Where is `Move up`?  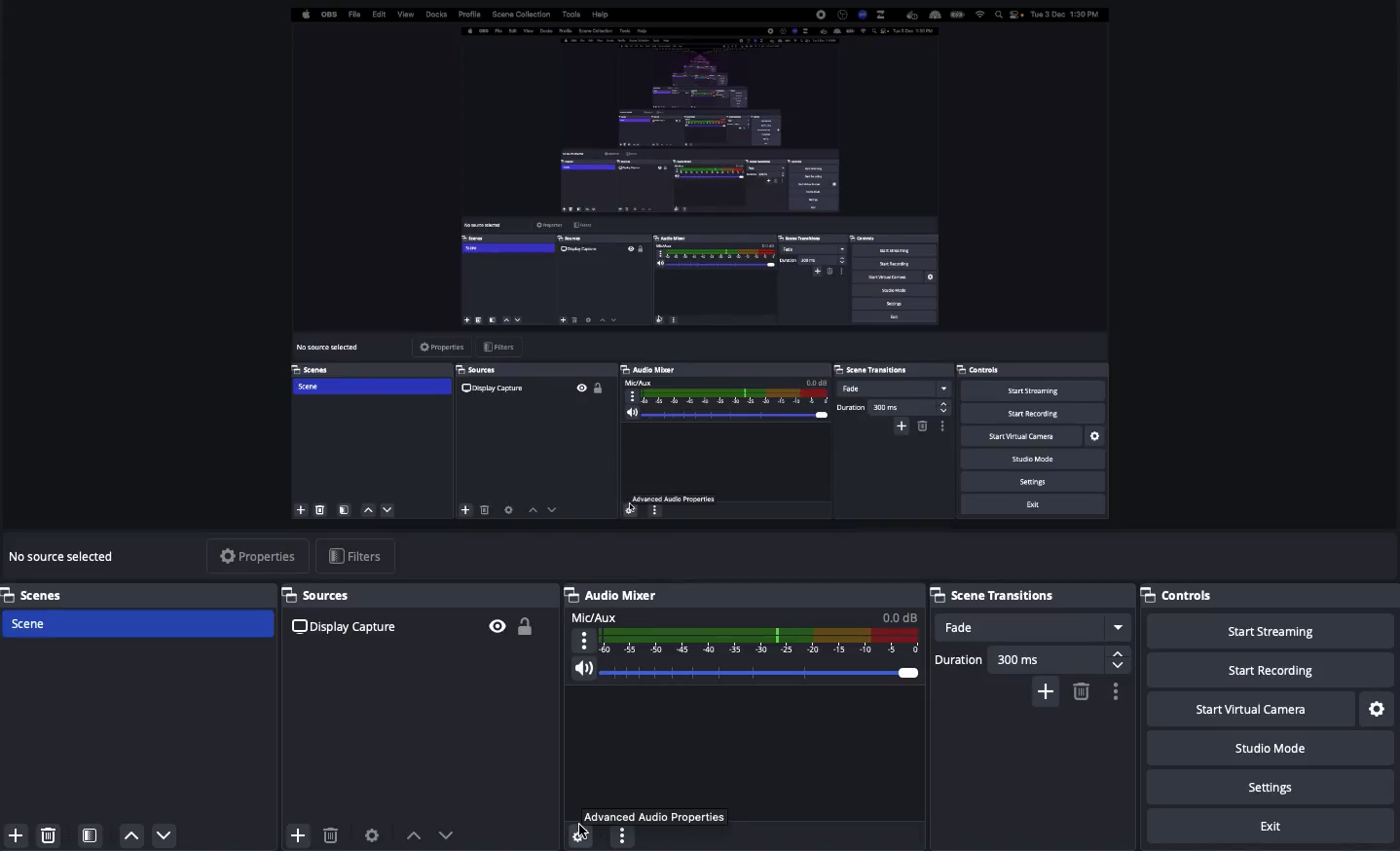
Move up is located at coordinates (416, 837).